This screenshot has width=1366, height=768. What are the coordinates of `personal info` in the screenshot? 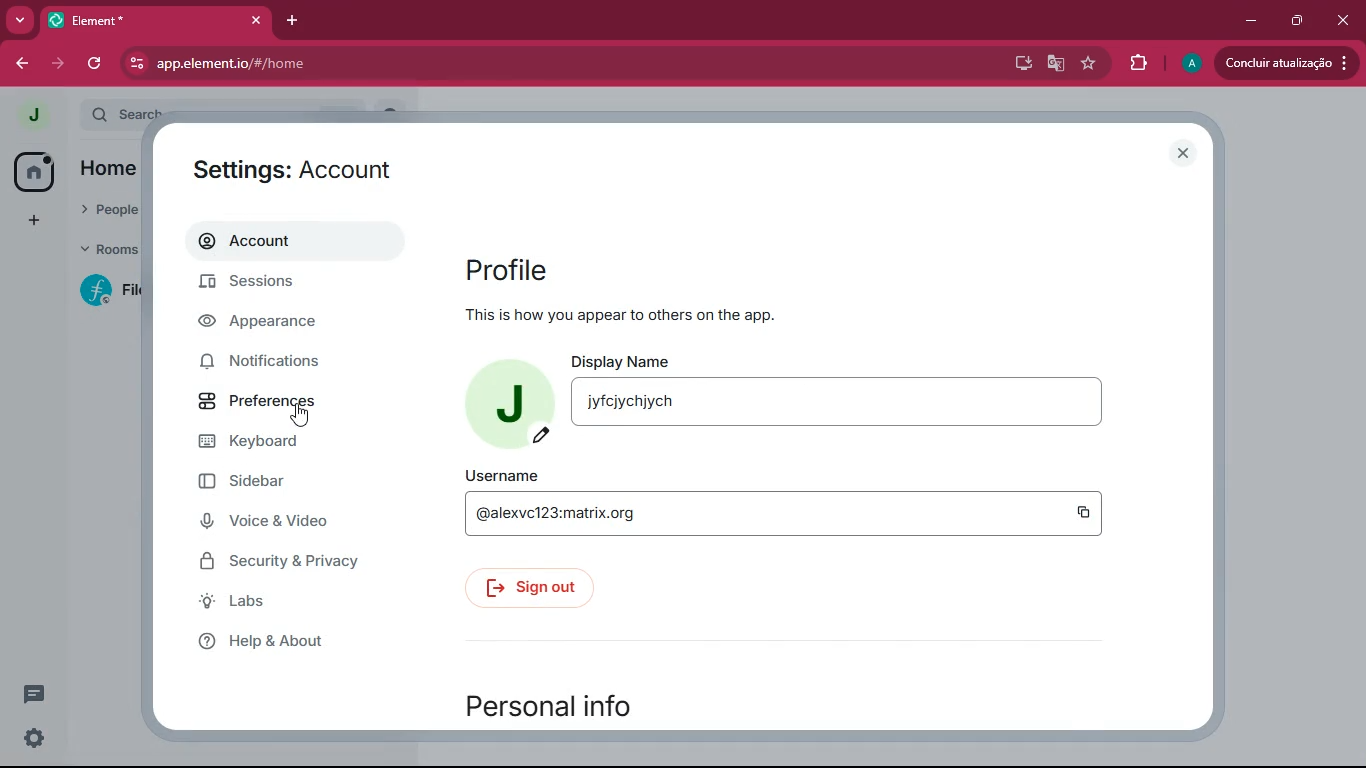 It's located at (587, 706).